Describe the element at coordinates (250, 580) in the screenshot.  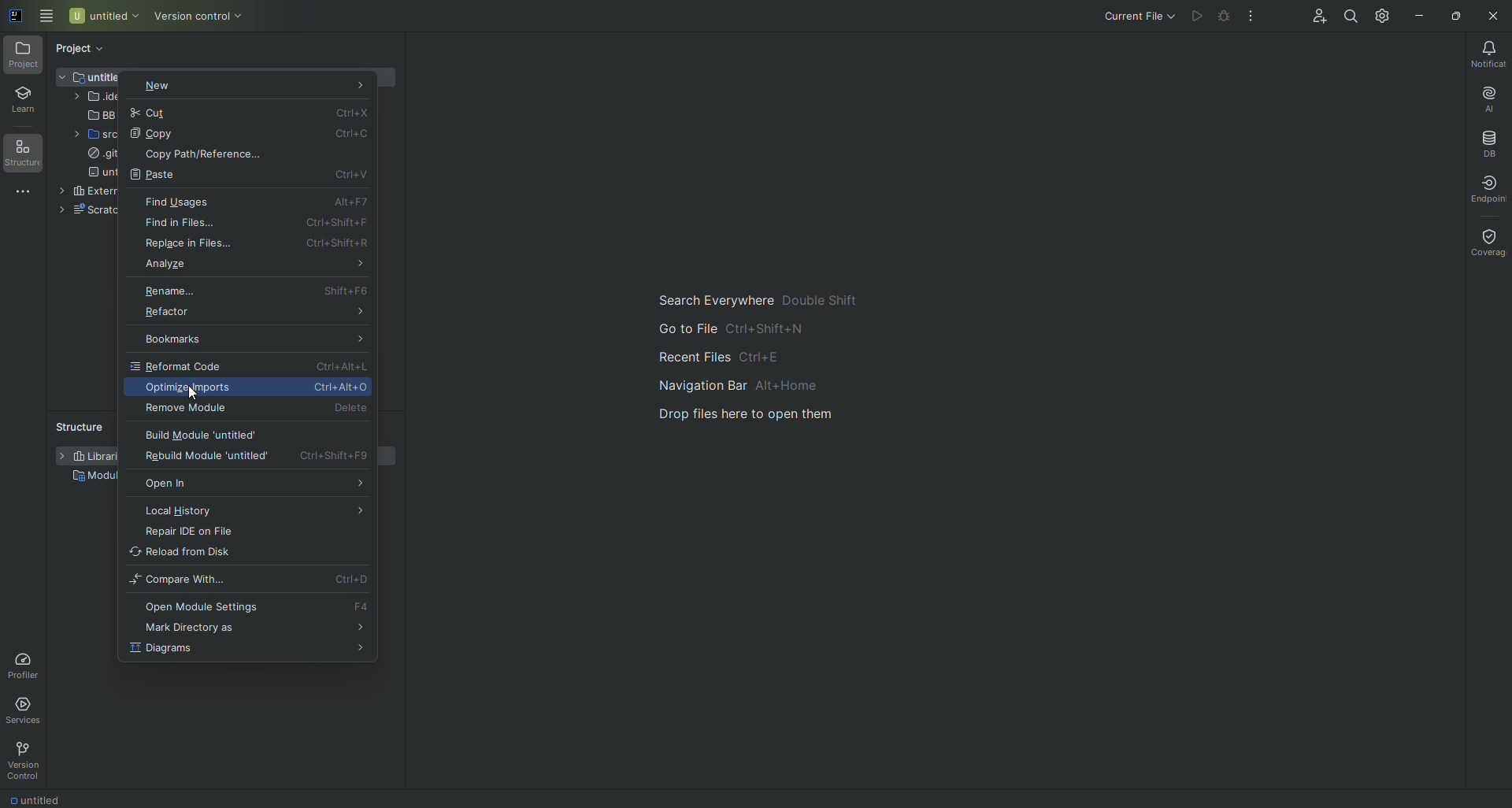
I see `Compare With` at that location.